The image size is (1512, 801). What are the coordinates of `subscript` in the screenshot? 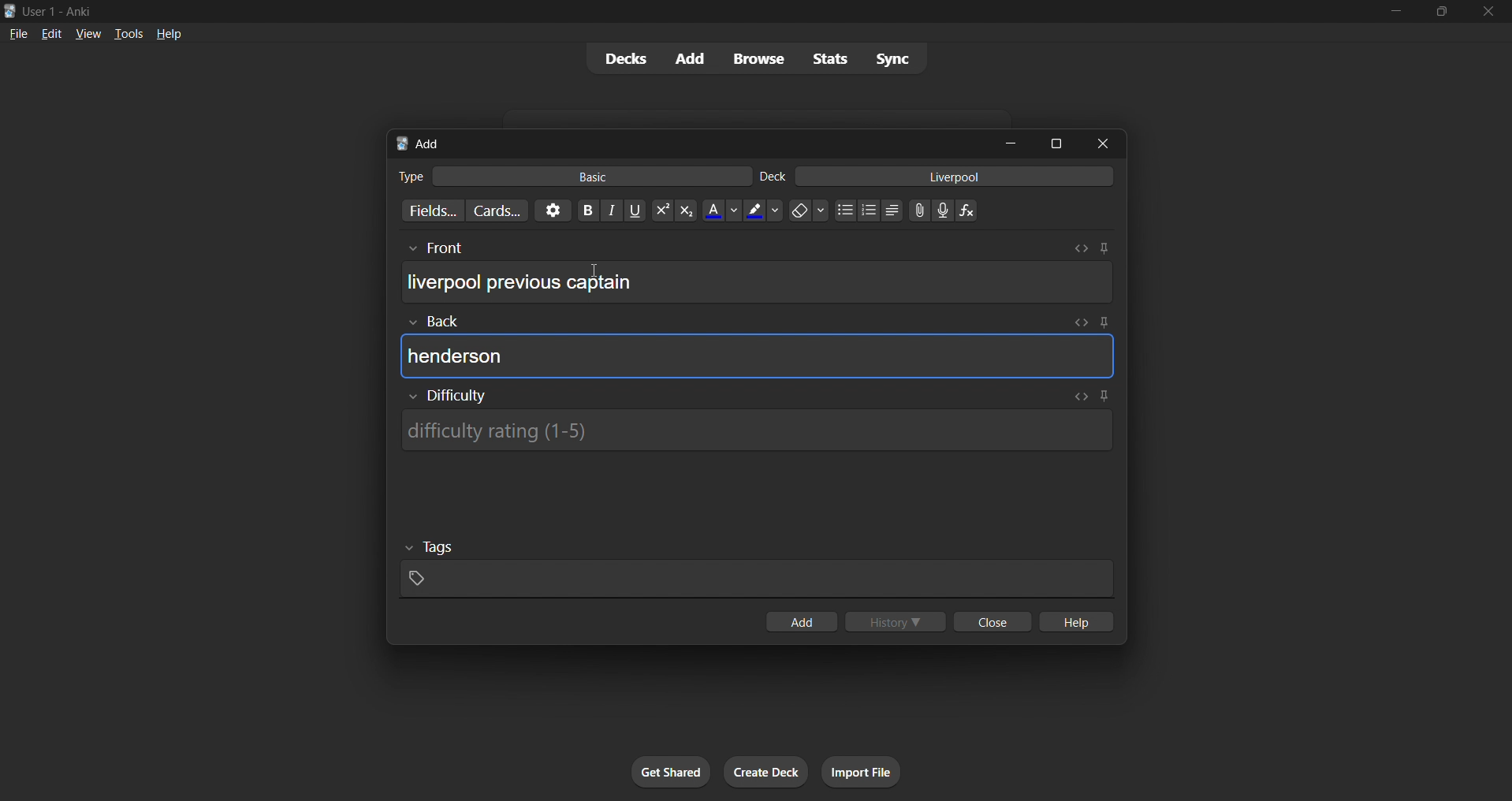 It's located at (684, 210).